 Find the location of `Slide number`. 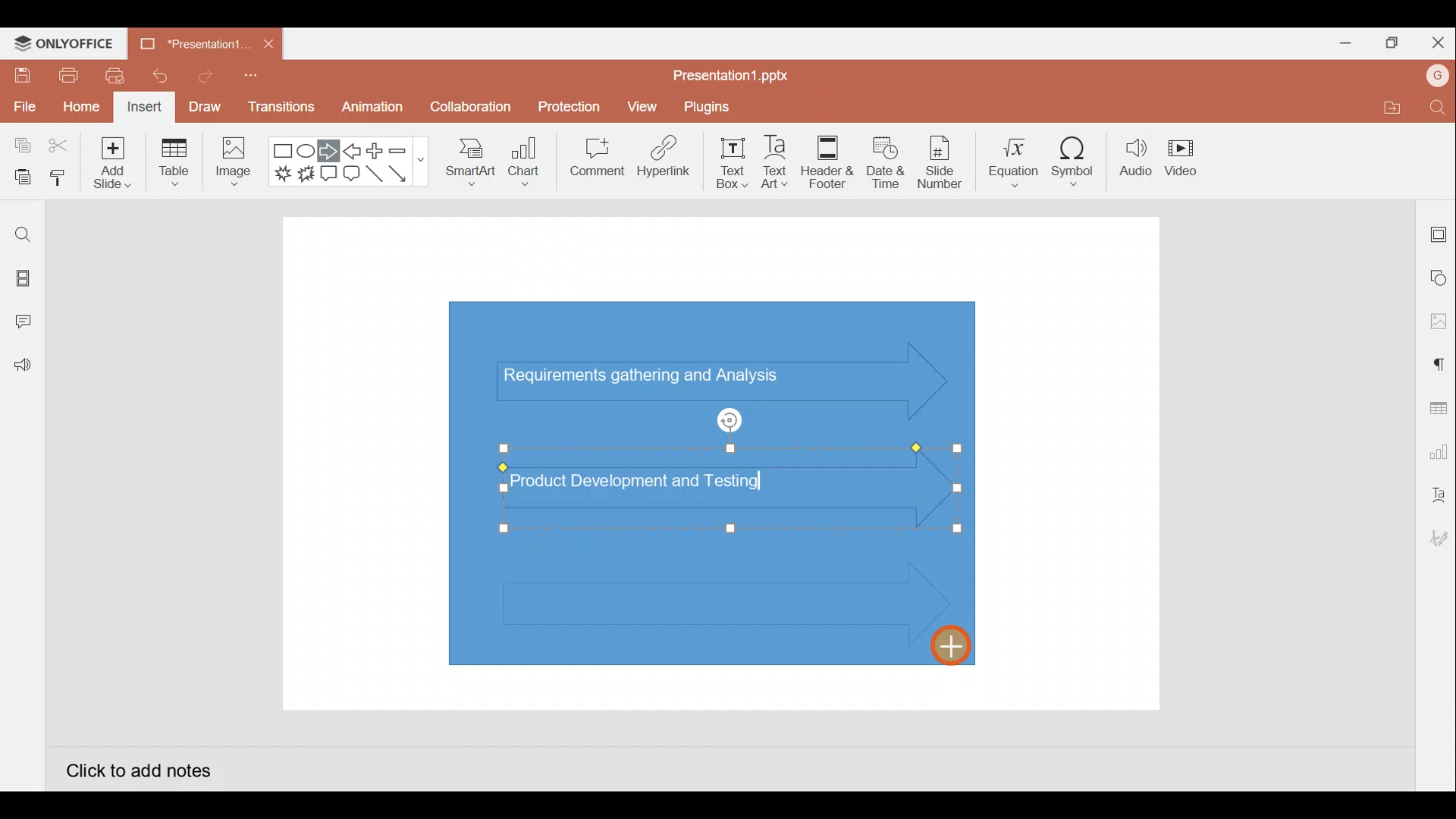

Slide number is located at coordinates (939, 162).